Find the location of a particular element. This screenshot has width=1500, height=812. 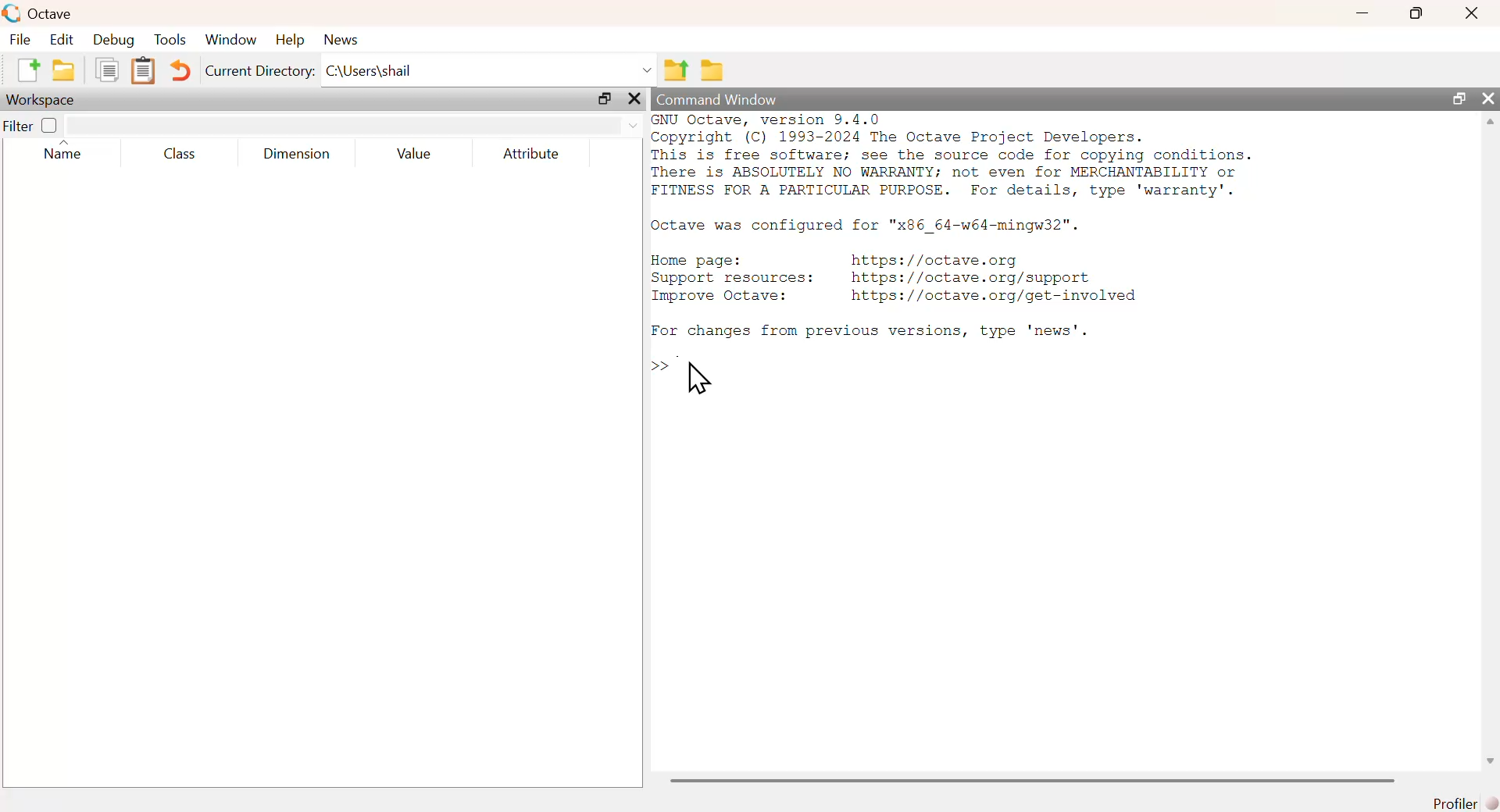

commands is located at coordinates (959, 248).